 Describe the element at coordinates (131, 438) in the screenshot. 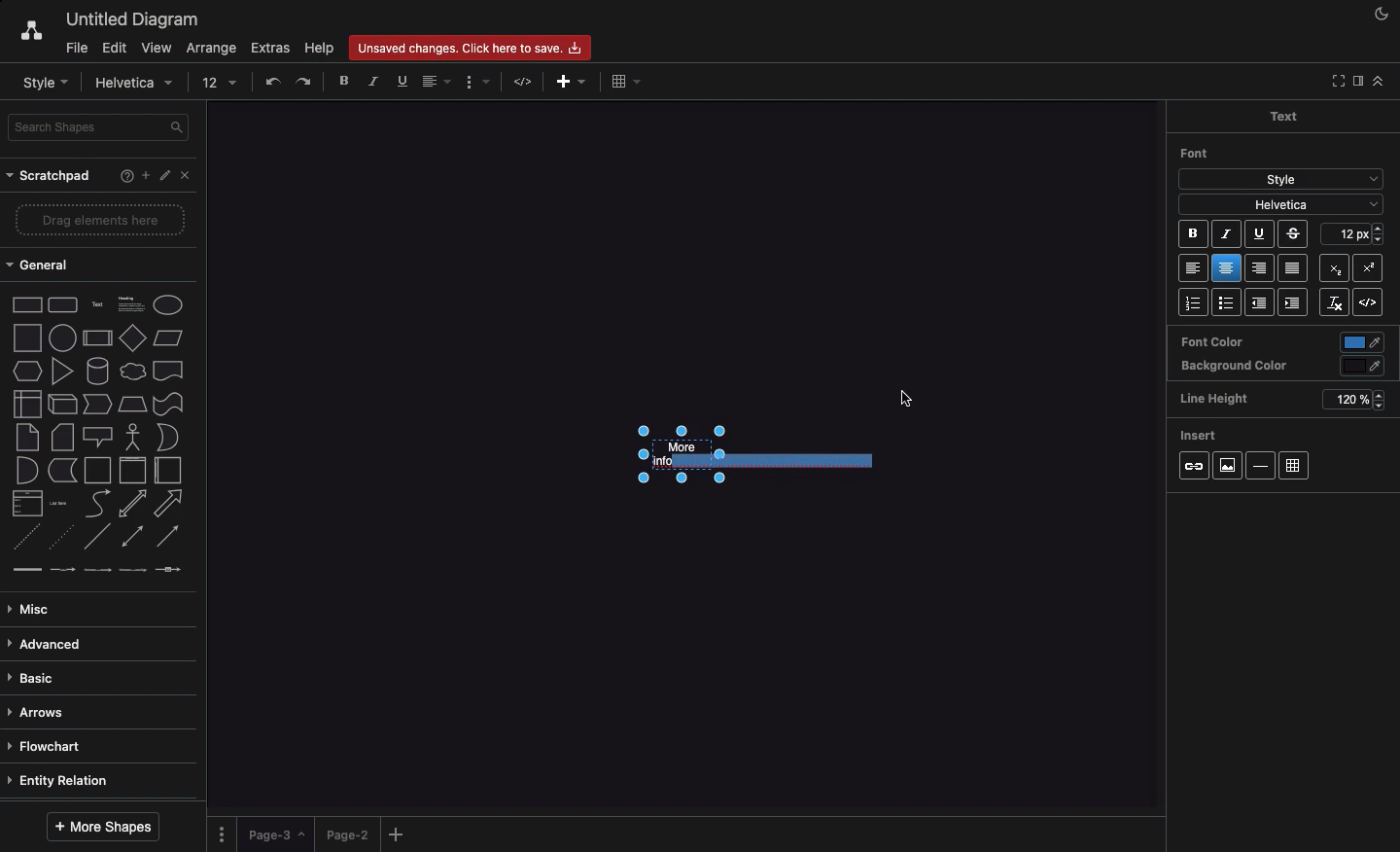

I see `actor` at that location.